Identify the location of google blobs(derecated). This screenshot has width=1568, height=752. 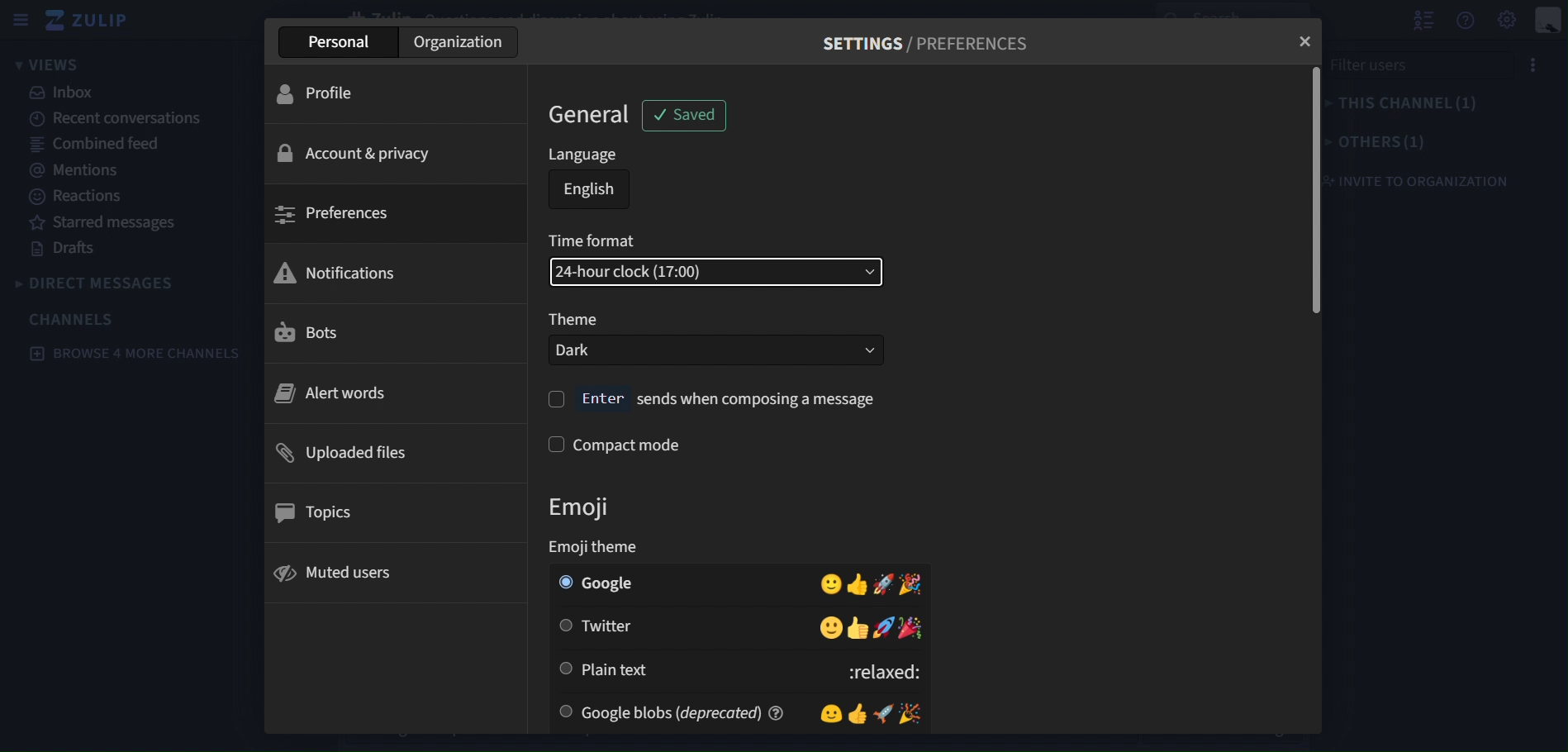
(659, 712).